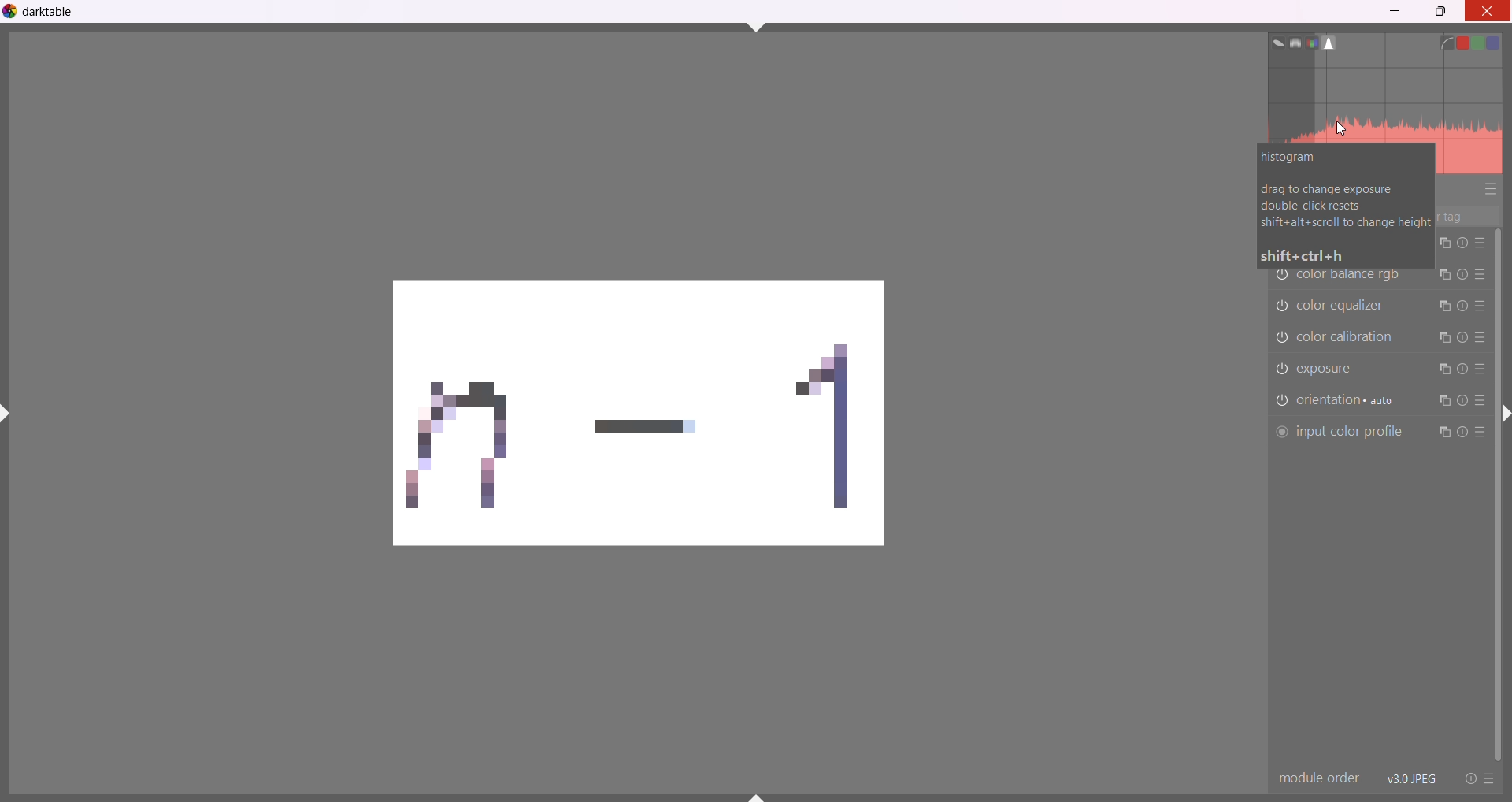  Describe the element at coordinates (9, 413) in the screenshot. I see `shift+ctrl+l` at that location.